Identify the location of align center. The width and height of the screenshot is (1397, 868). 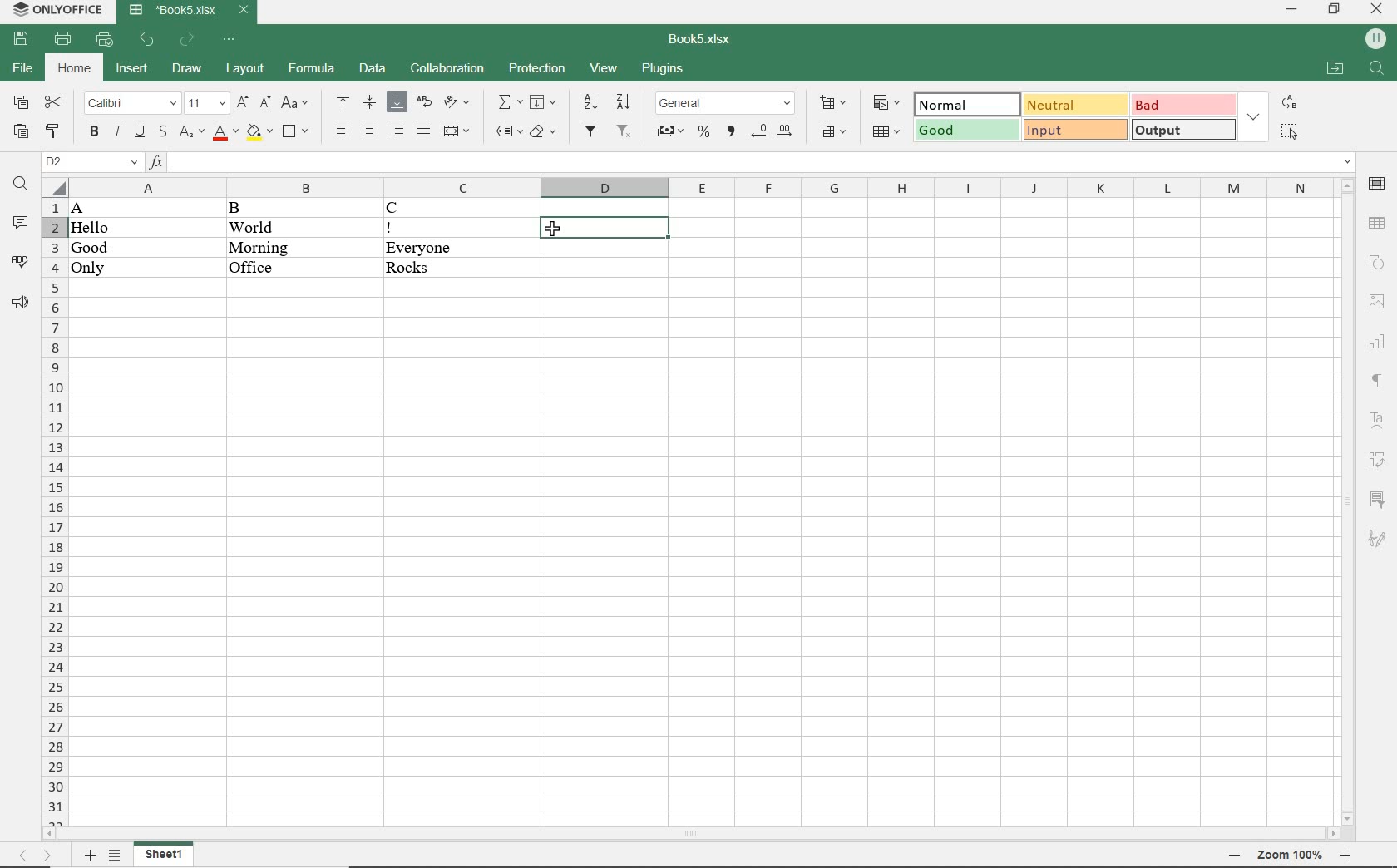
(369, 131).